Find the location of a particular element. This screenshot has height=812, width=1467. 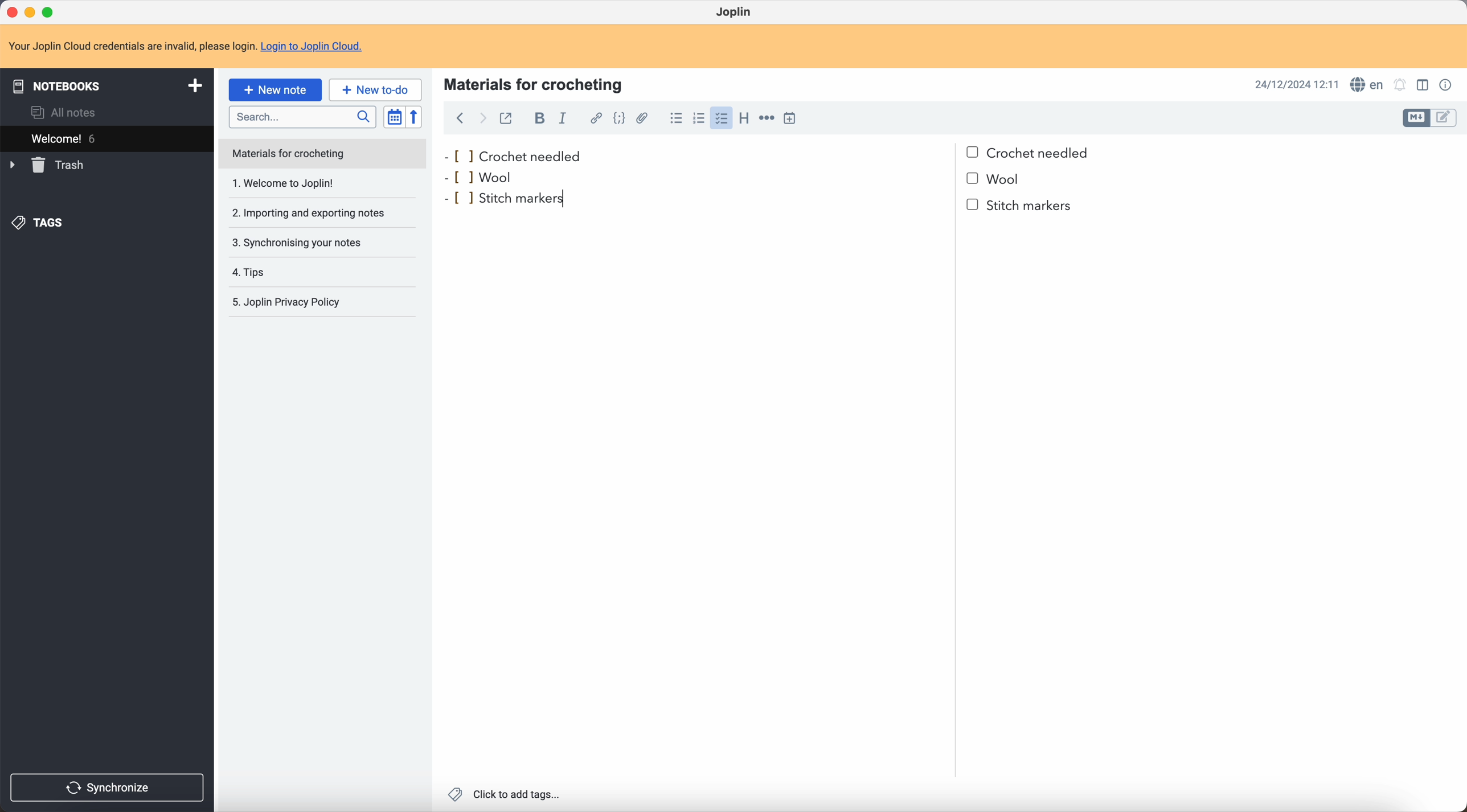

toggle sort order field is located at coordinates (394, 117).